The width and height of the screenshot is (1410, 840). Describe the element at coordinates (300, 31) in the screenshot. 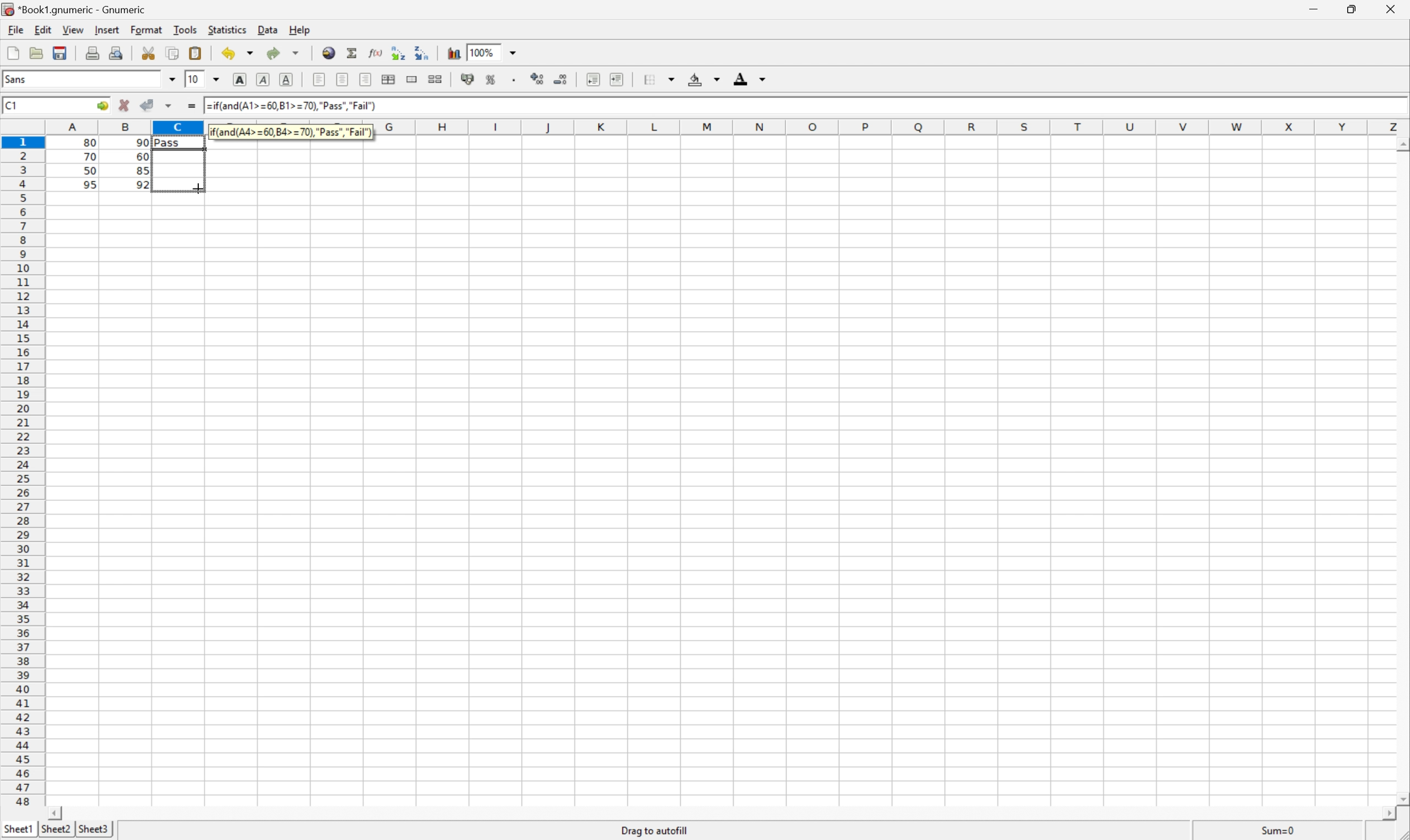

I see `Help` at that location.